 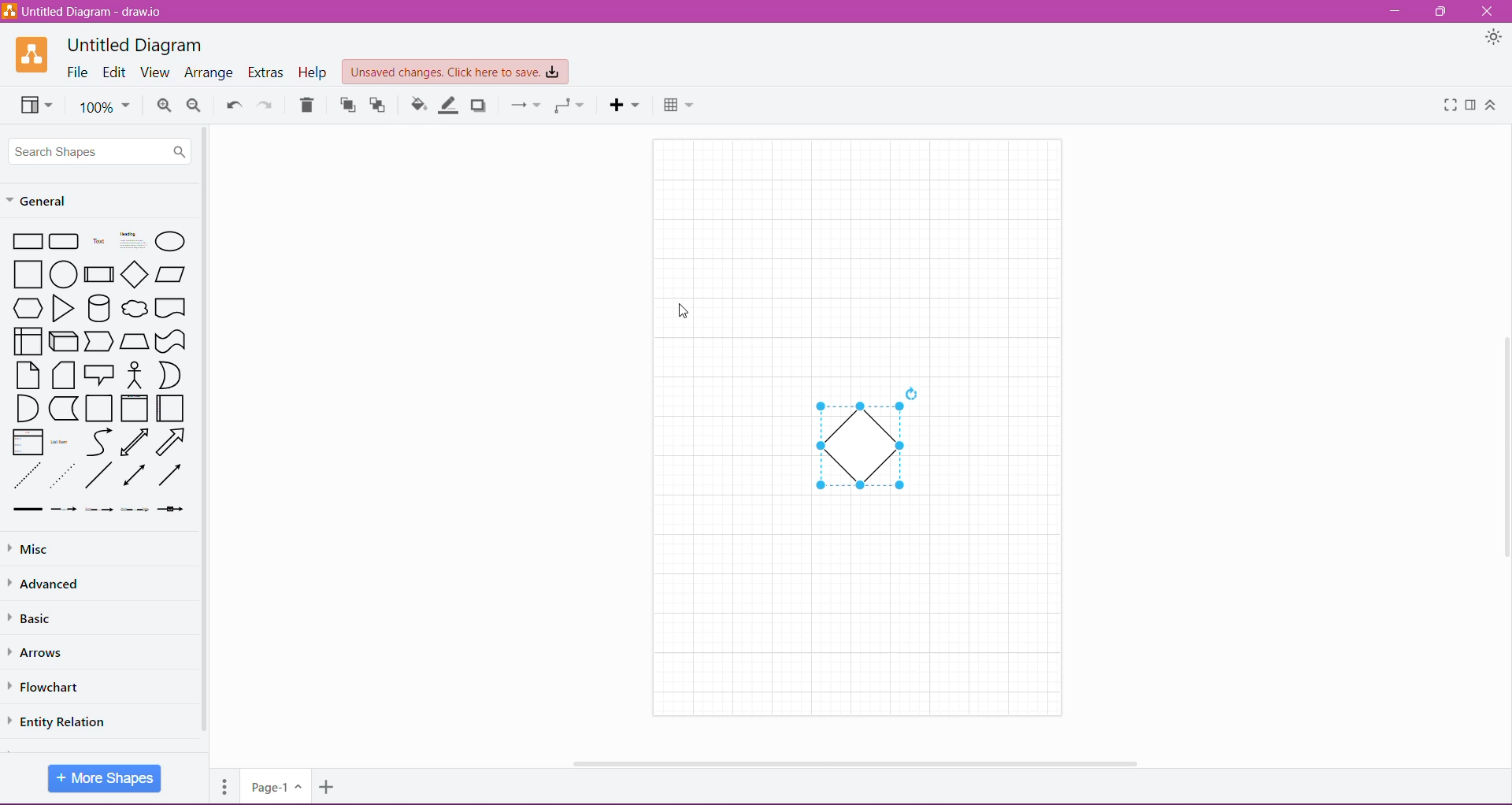 What do you see at coordinates (624, 106) in the screenshot?
I see `Insert ` at bounding box center [624, 106].